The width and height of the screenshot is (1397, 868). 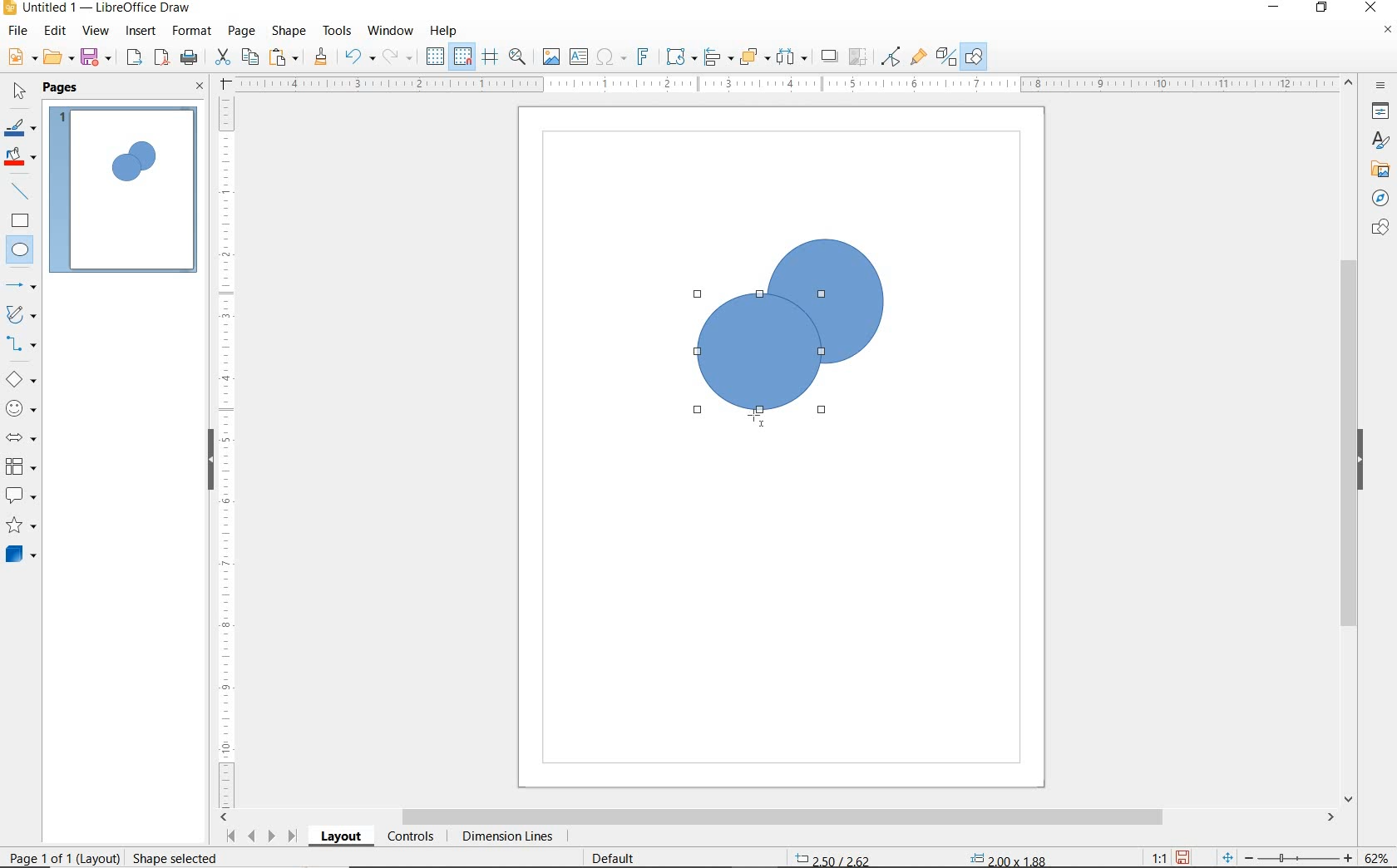 What do you see at coordinates (144, 158) in the screenshot?
I see `CIRCLE ADDED` at bounding box center [144, 158].